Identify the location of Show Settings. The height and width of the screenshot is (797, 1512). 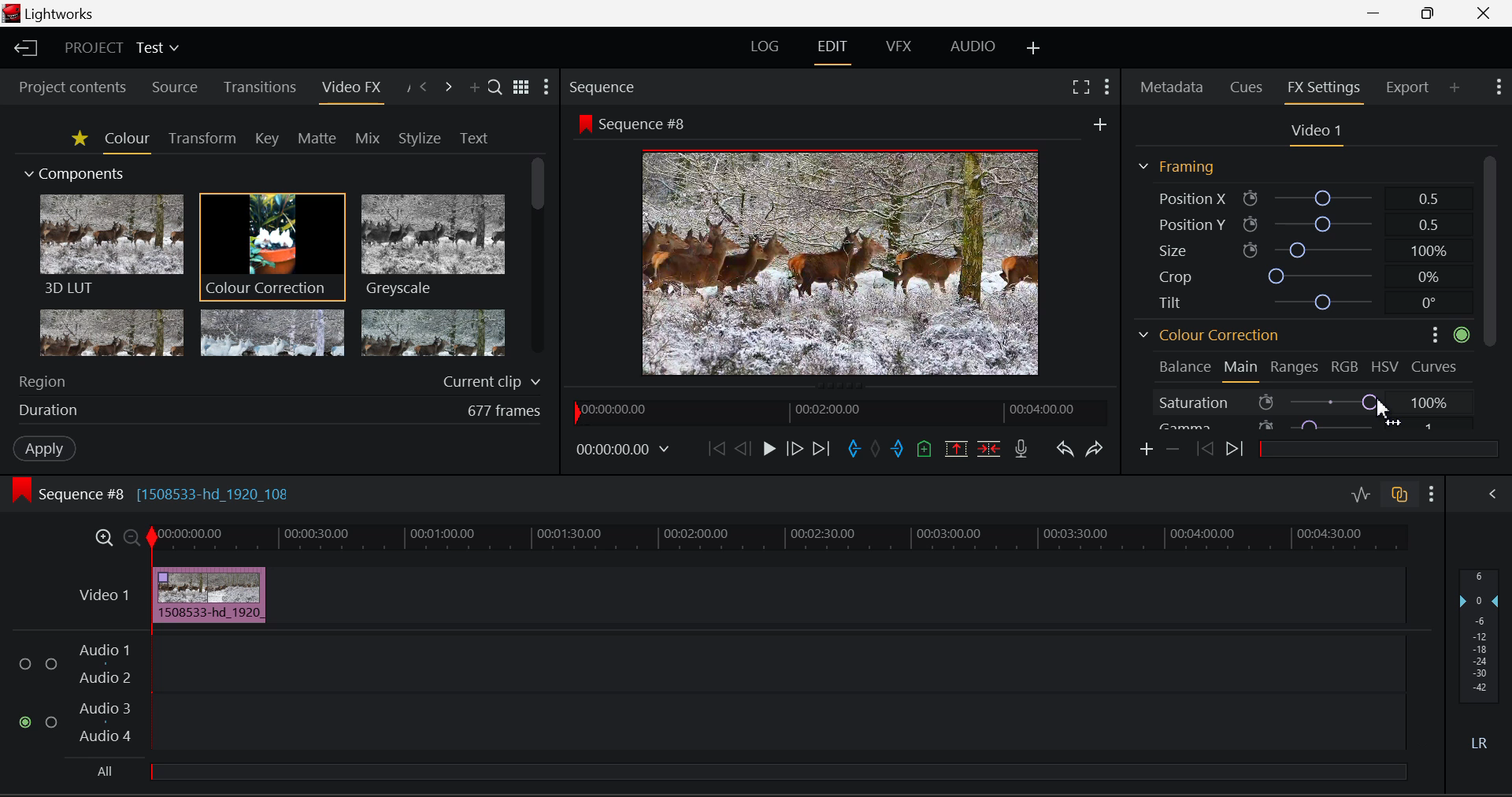
(1432, 495).